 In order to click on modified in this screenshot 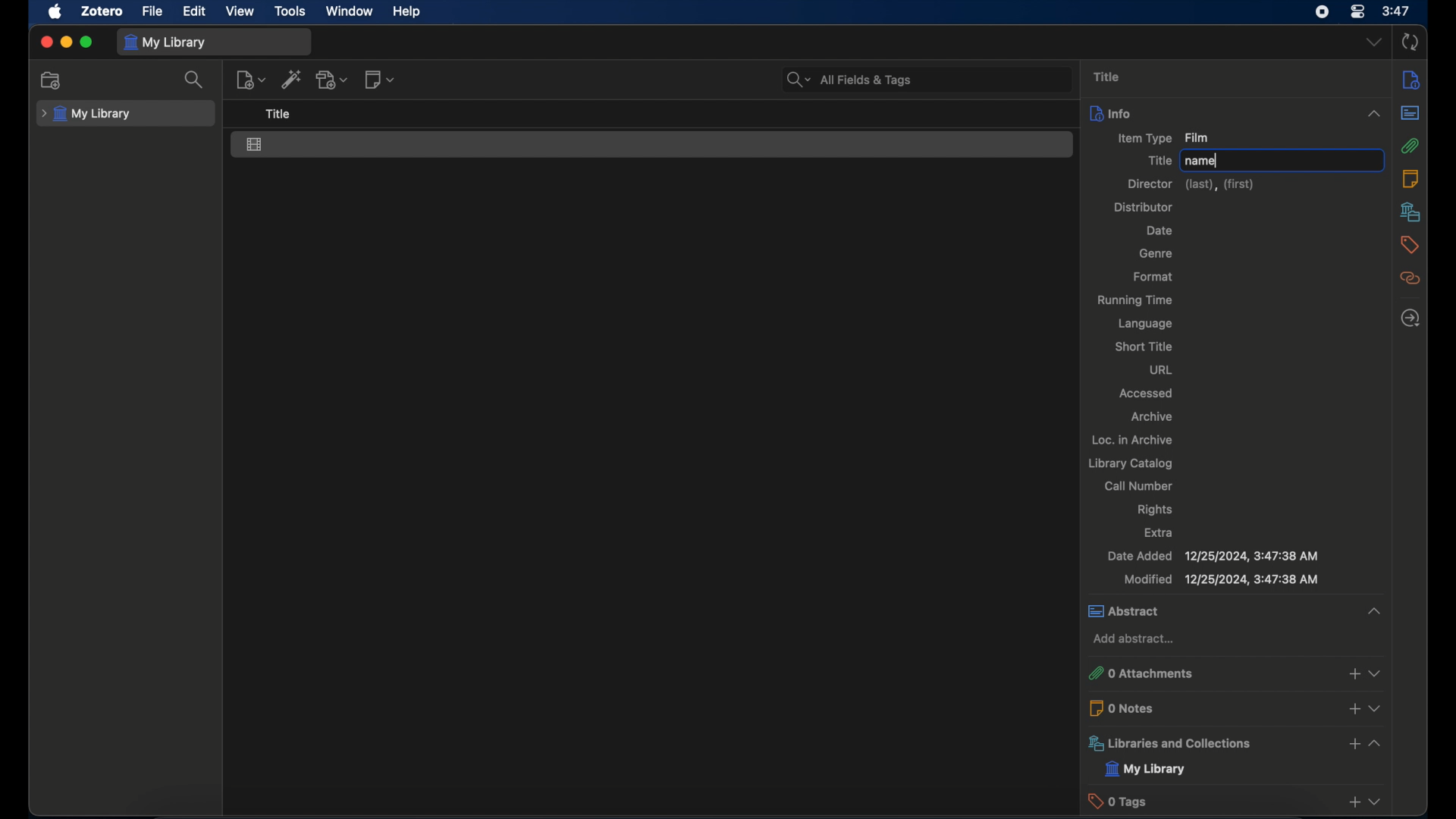, I will do `click(1221, 579)`.